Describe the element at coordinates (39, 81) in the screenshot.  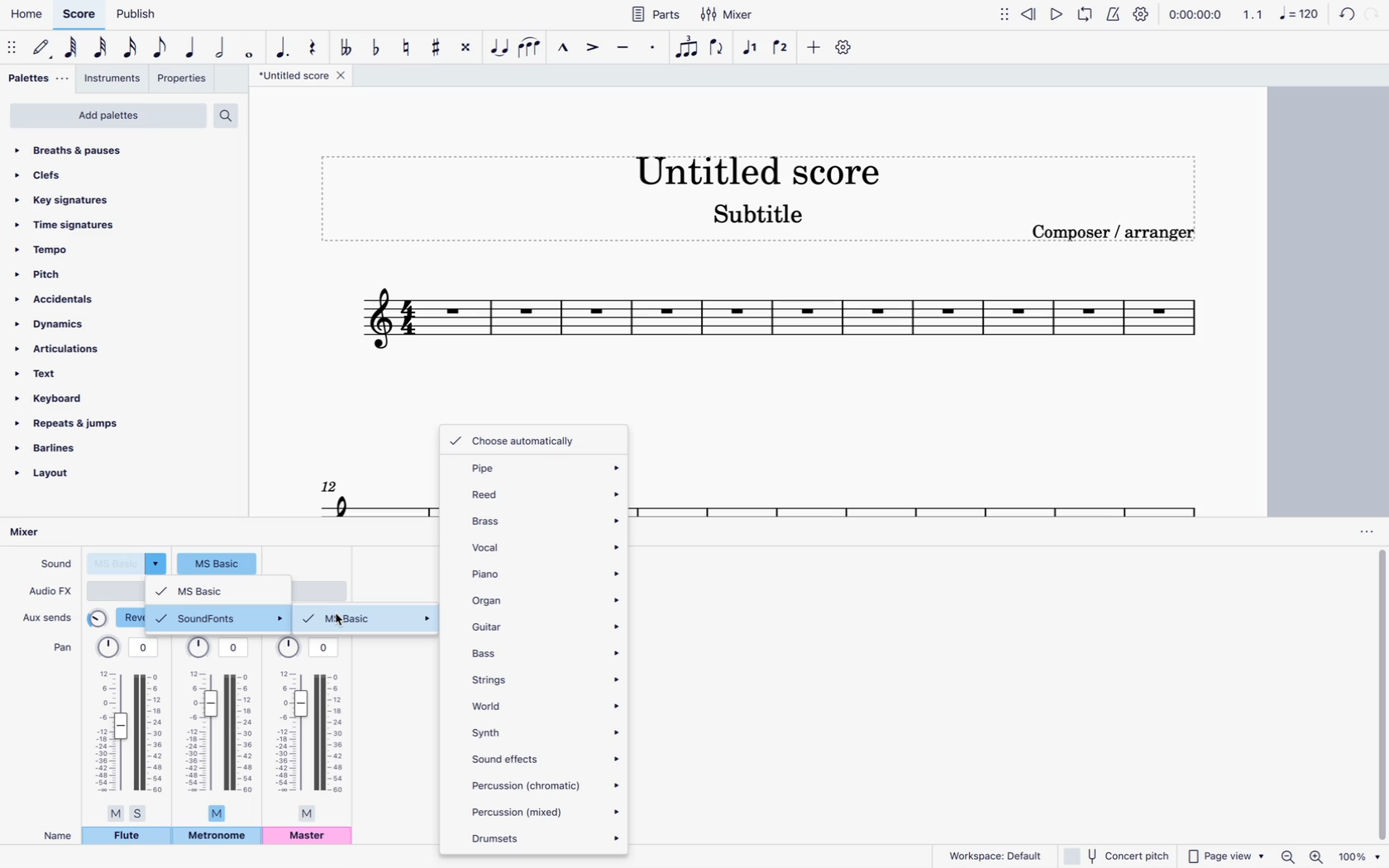
I see `palettes` at that location.